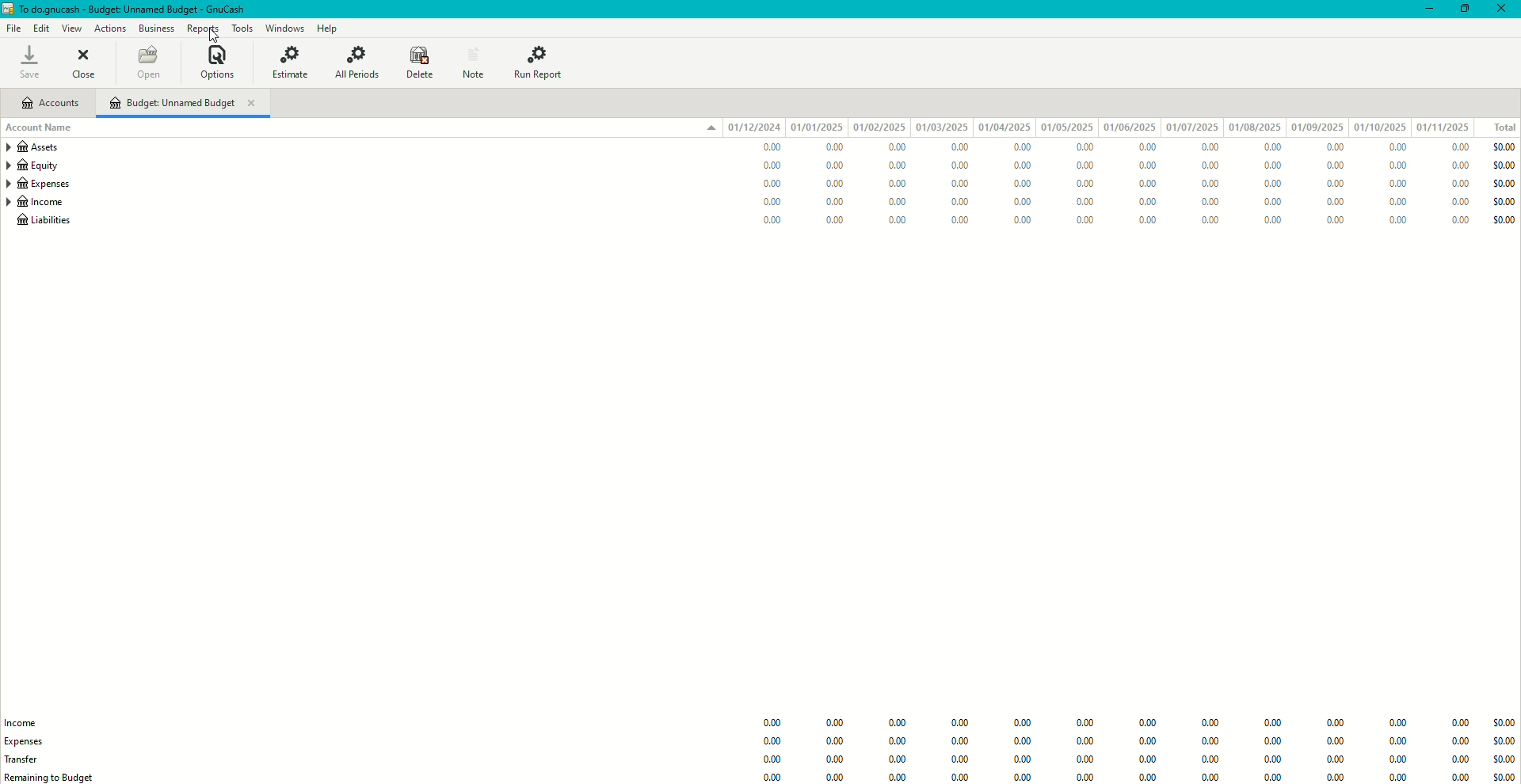 This screenshot has height=784, width=1521. Describe the element at coordinates (1332, 762) in the screenshot. I see `0.00` at that location.